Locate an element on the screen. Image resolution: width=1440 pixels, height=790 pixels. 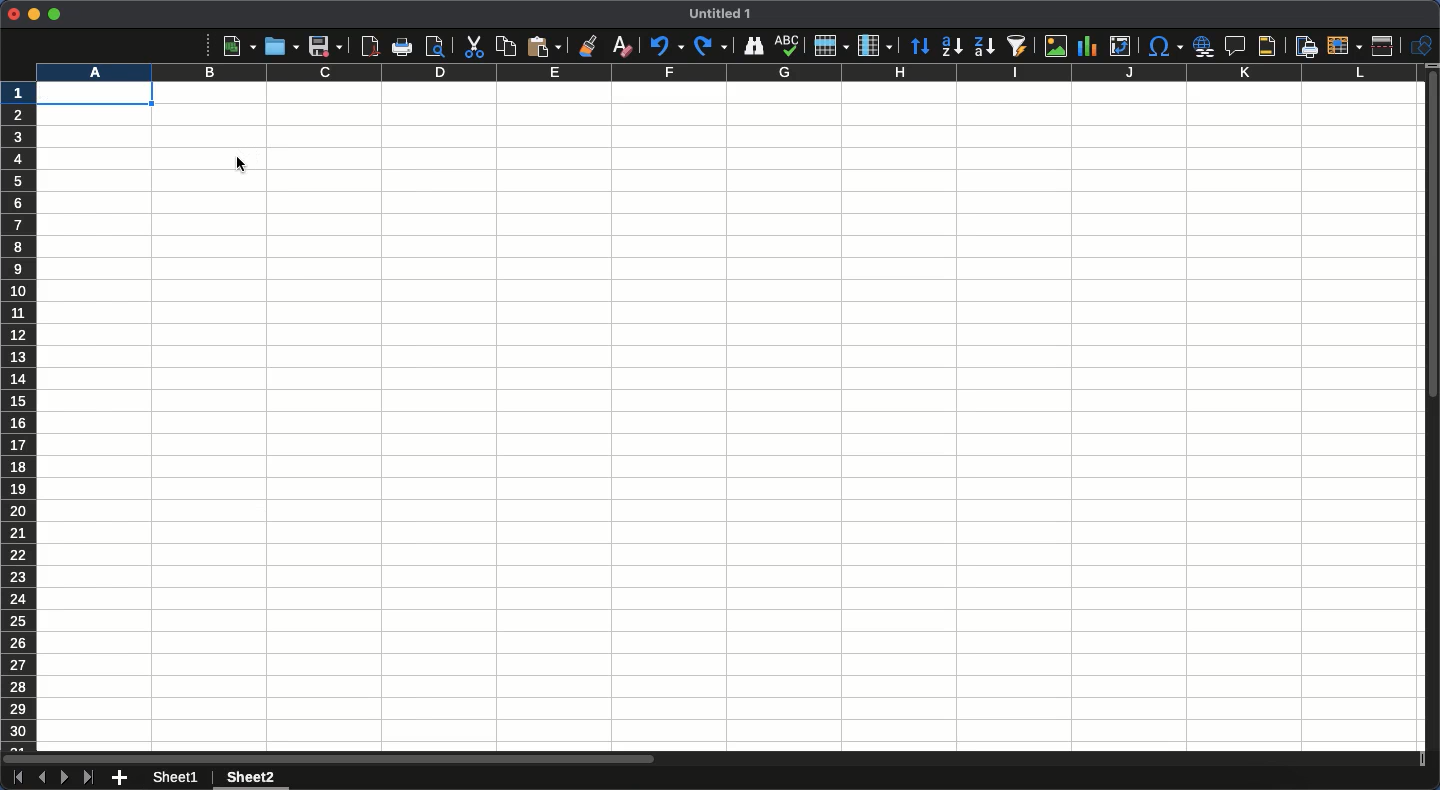
Hyperlink is located at coordinates (1205, 46).